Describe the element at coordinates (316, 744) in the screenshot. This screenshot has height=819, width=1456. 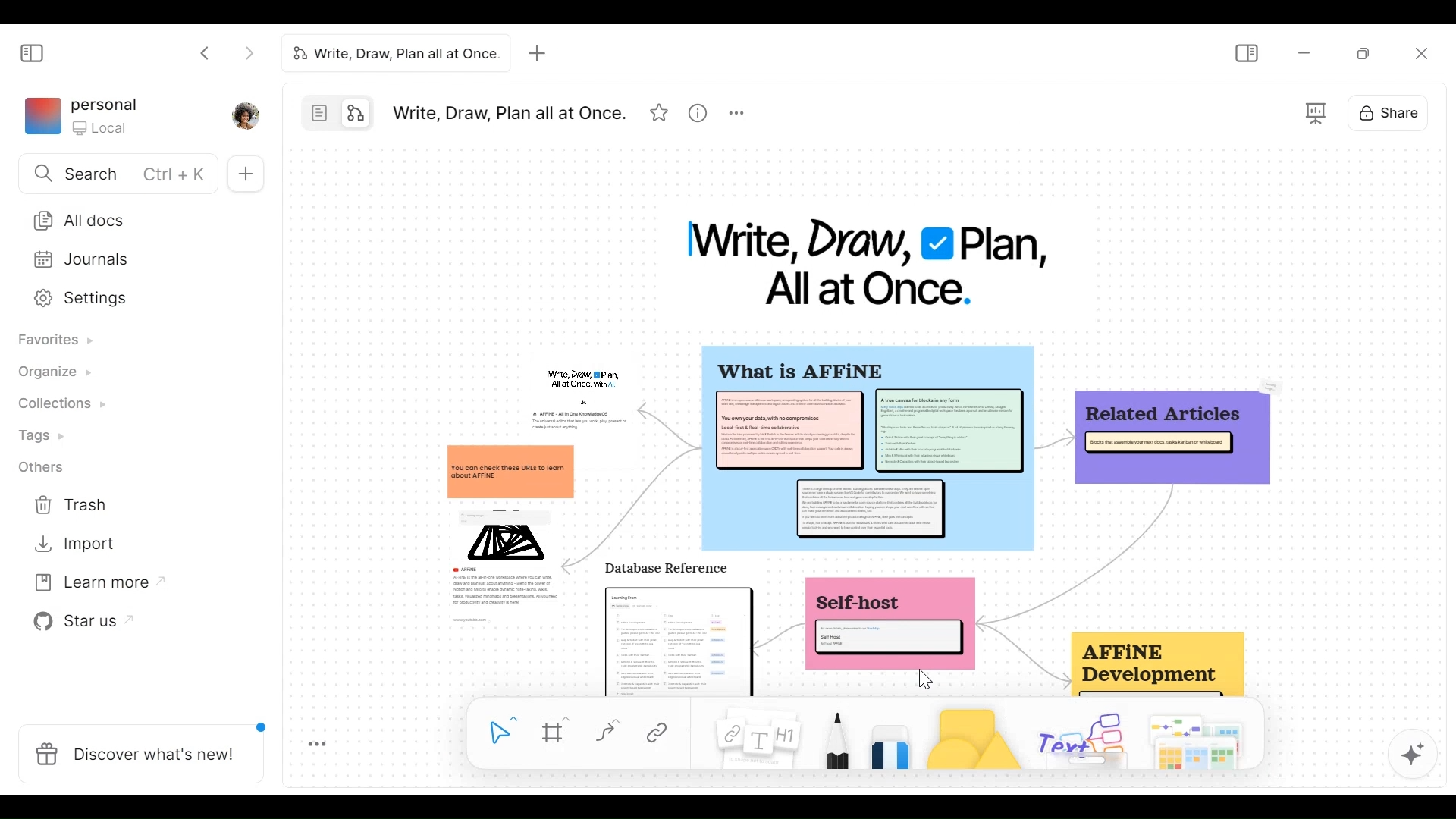
I see `more` at that location.